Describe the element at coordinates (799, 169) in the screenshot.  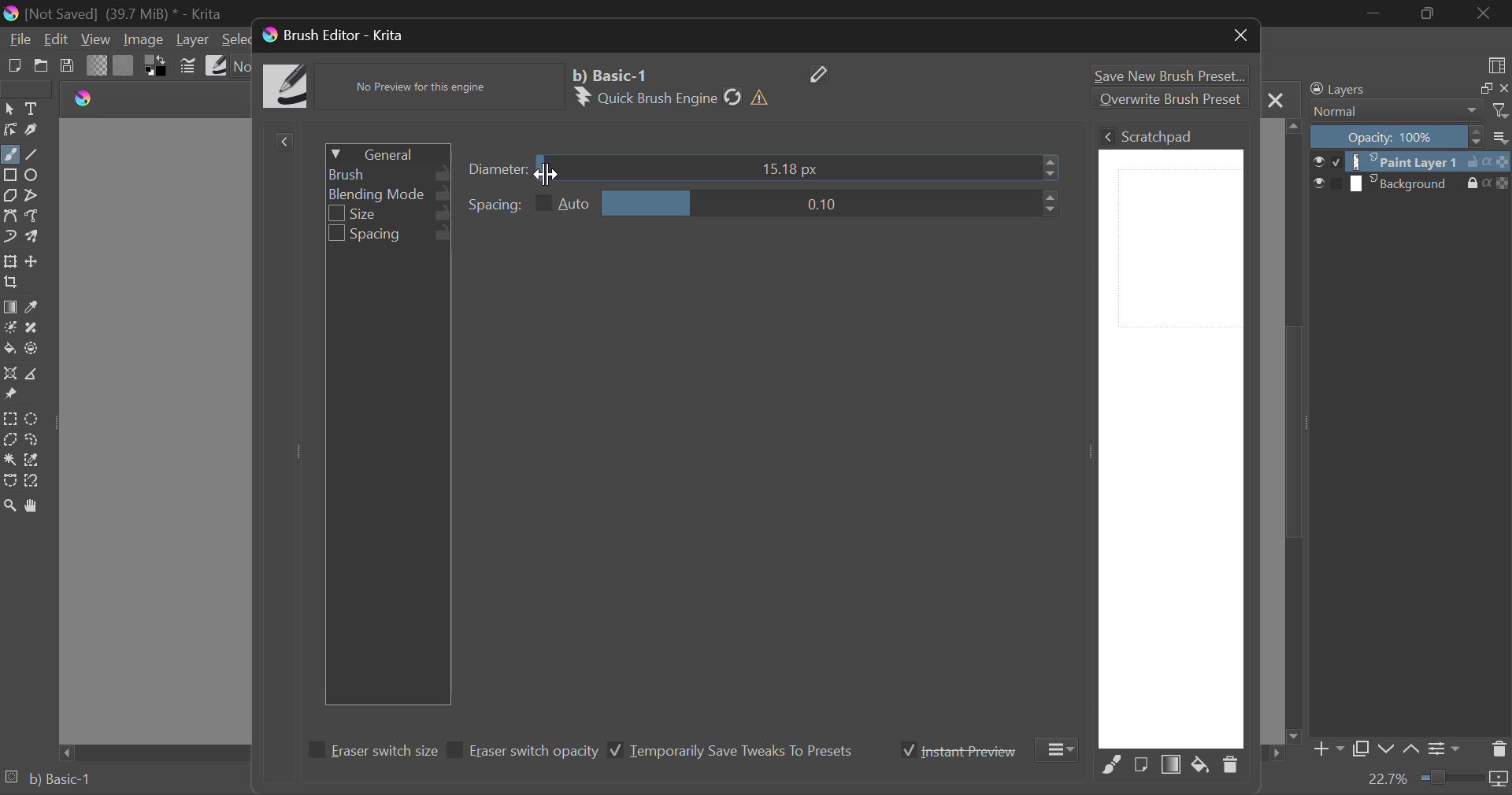
I see `Diameter Slider` at that location.